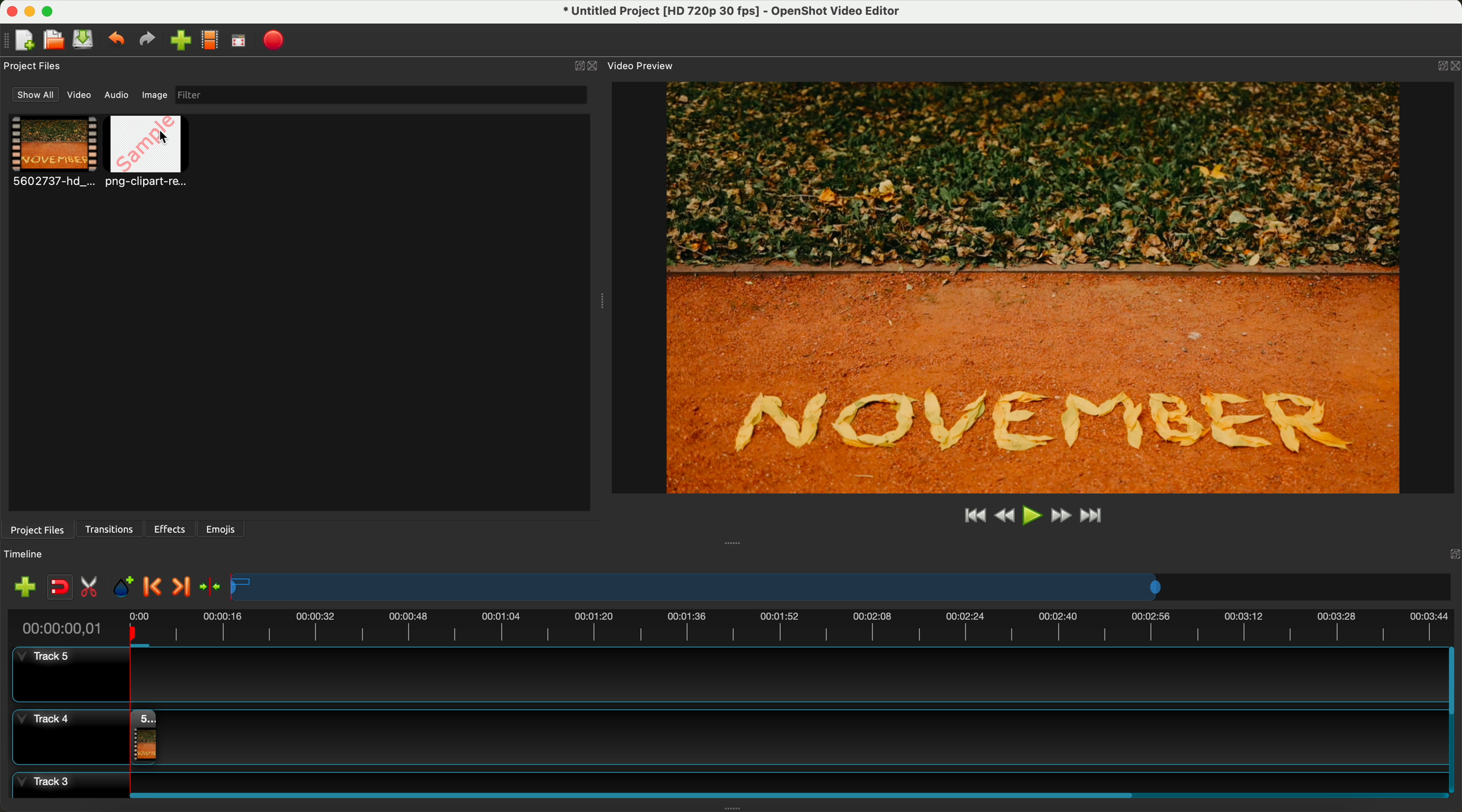 The width and height of the screenshot is (1462, 812). What do you see at coordinates (126, 589) in the screenshot?
I see `add mark` at bounding box center [126, 589].